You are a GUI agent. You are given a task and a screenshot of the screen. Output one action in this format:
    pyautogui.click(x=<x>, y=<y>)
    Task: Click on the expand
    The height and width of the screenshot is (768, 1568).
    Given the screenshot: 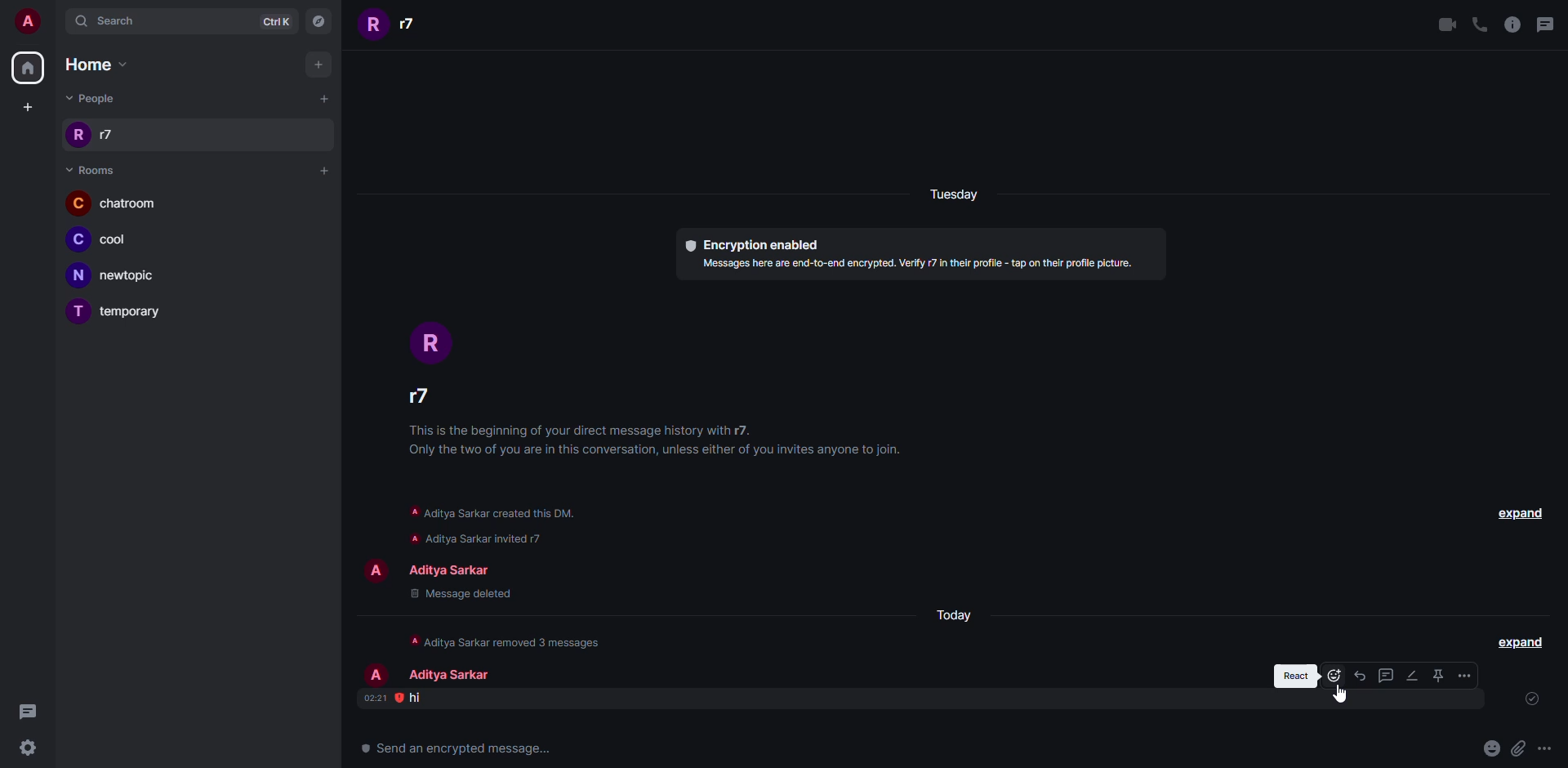 What is the action you would take?
    pyautogui.click(x=1521, y=640)
    